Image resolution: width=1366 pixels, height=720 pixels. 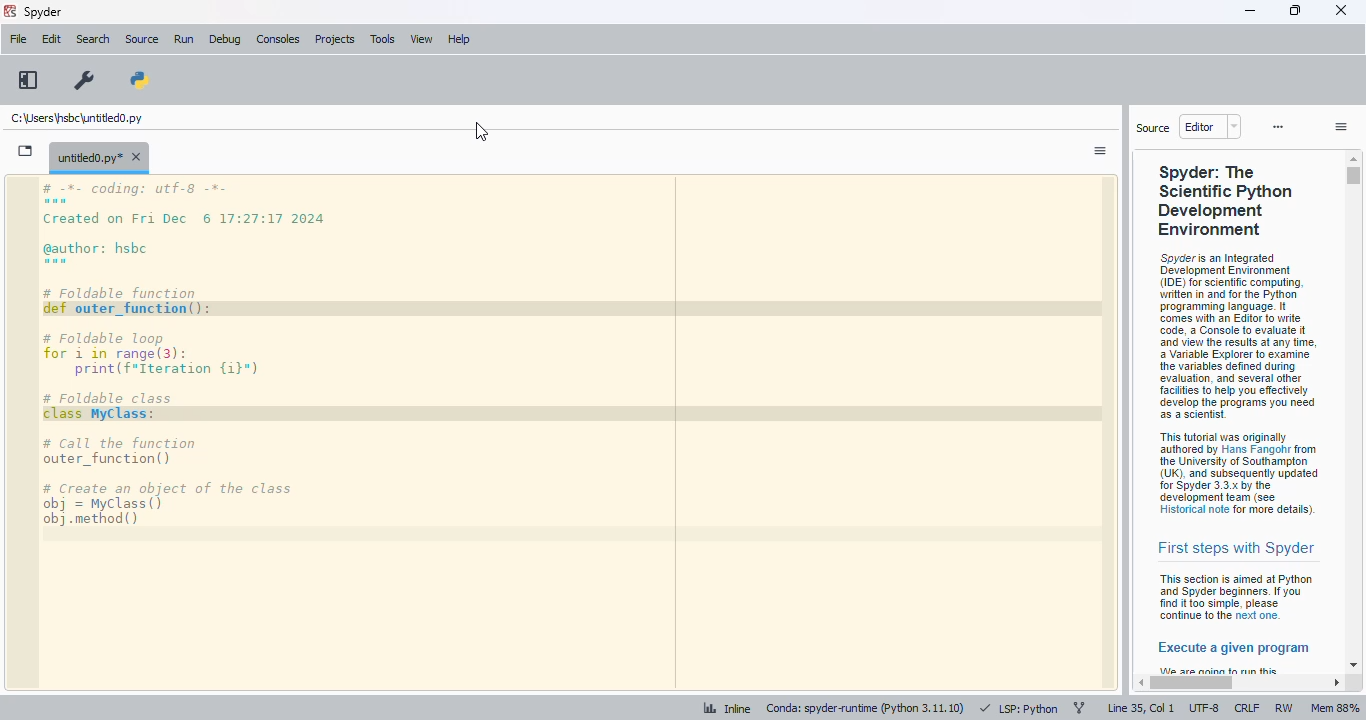 What do you see at coordinates (1100, 151) in the screenshot?
I see `options` at bounding box center [1100, 151].